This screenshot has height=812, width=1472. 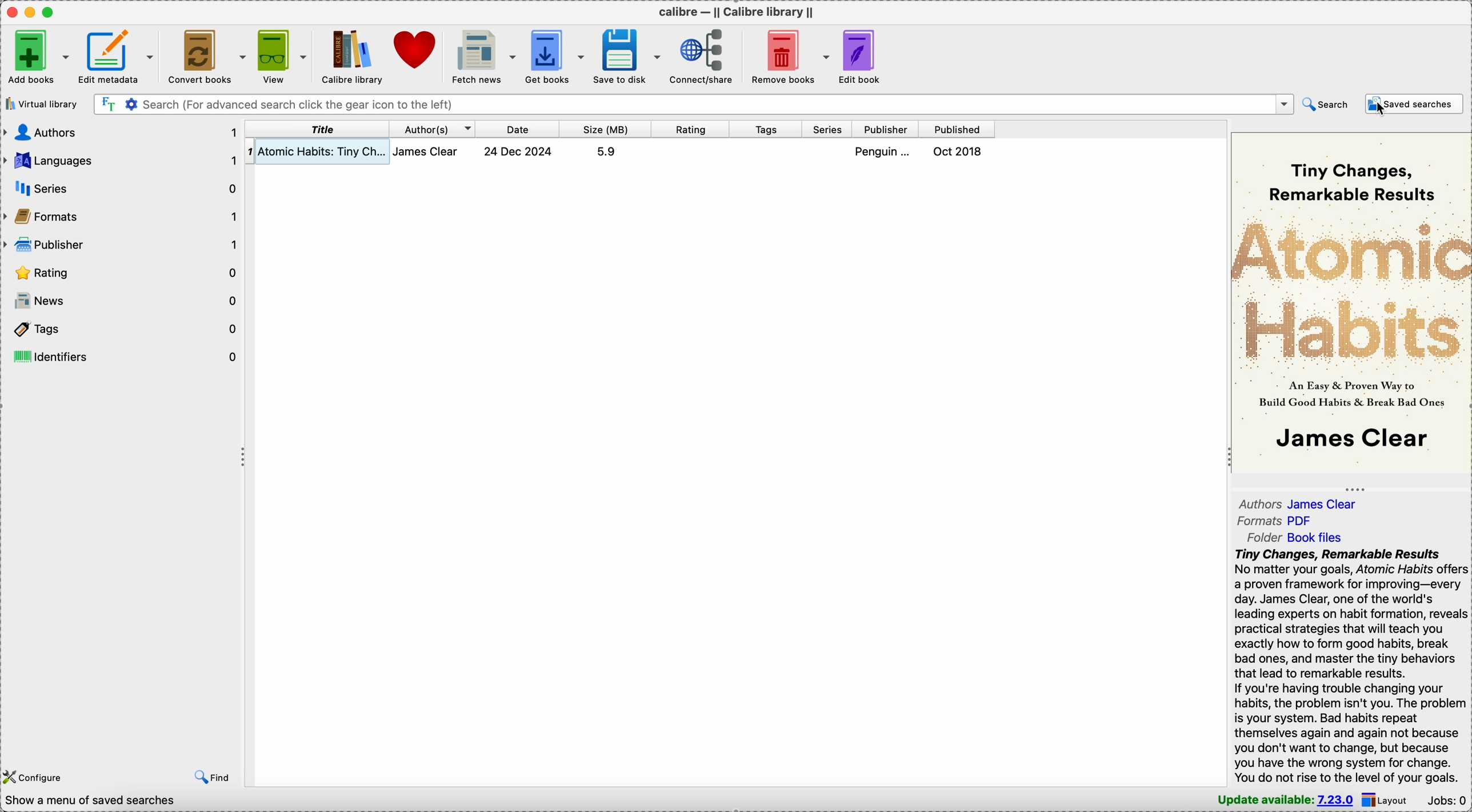 I want to click on publisher, so click(x=887, y=130).